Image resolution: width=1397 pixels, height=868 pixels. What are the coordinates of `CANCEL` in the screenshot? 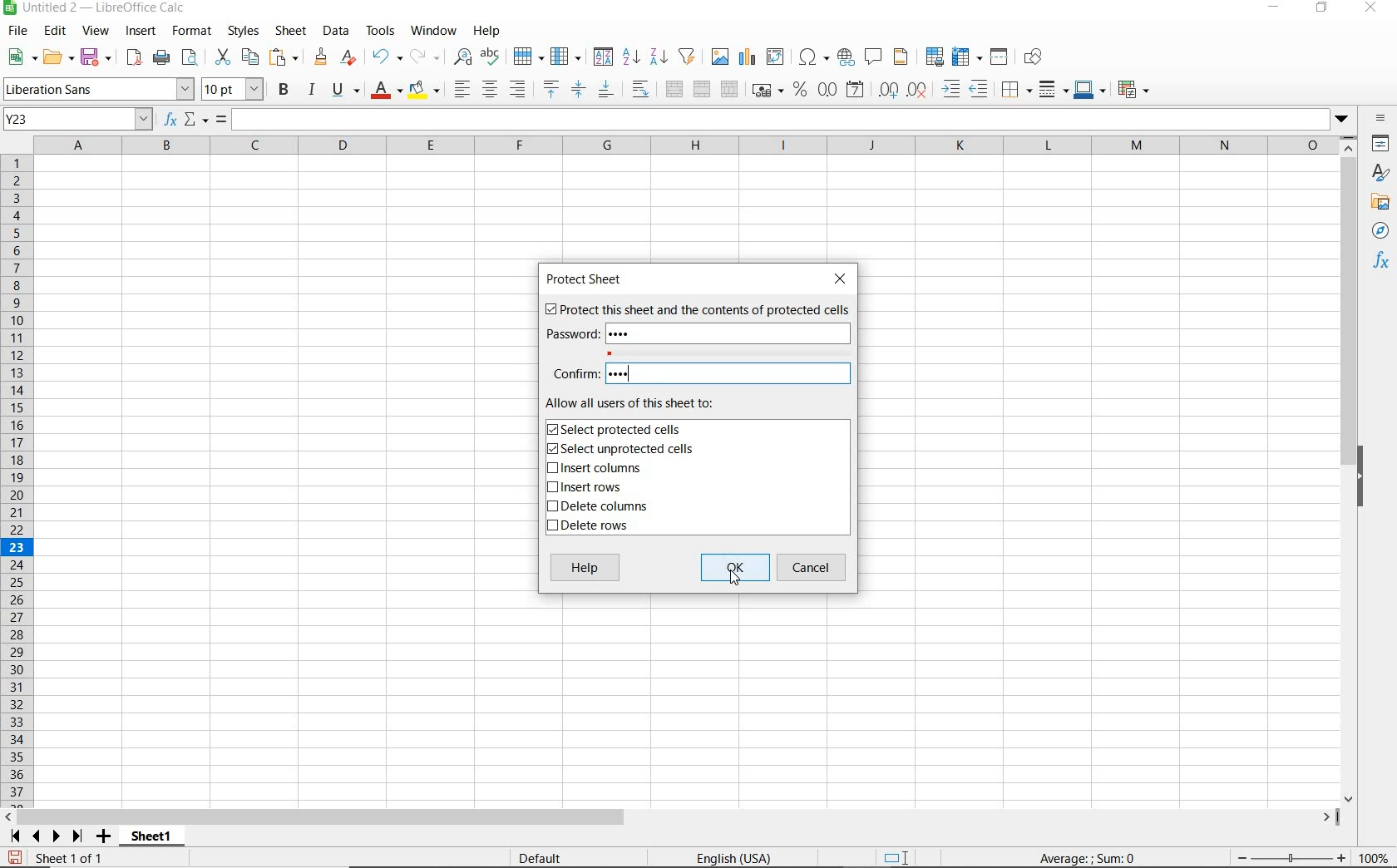 It's located at (814, 568).